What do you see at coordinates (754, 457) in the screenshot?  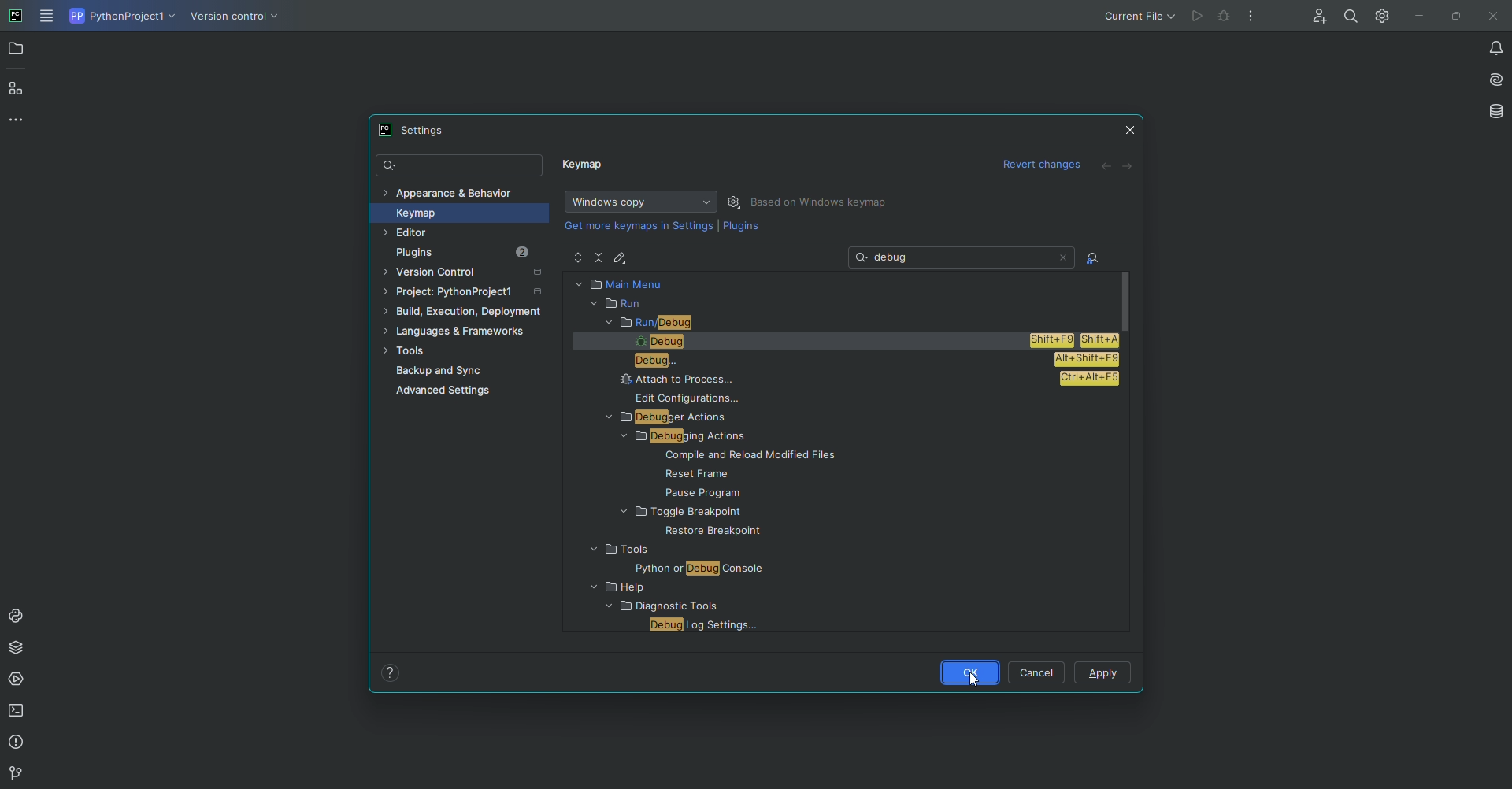 I see `FILE NAME` at bounding box center [754, 457].